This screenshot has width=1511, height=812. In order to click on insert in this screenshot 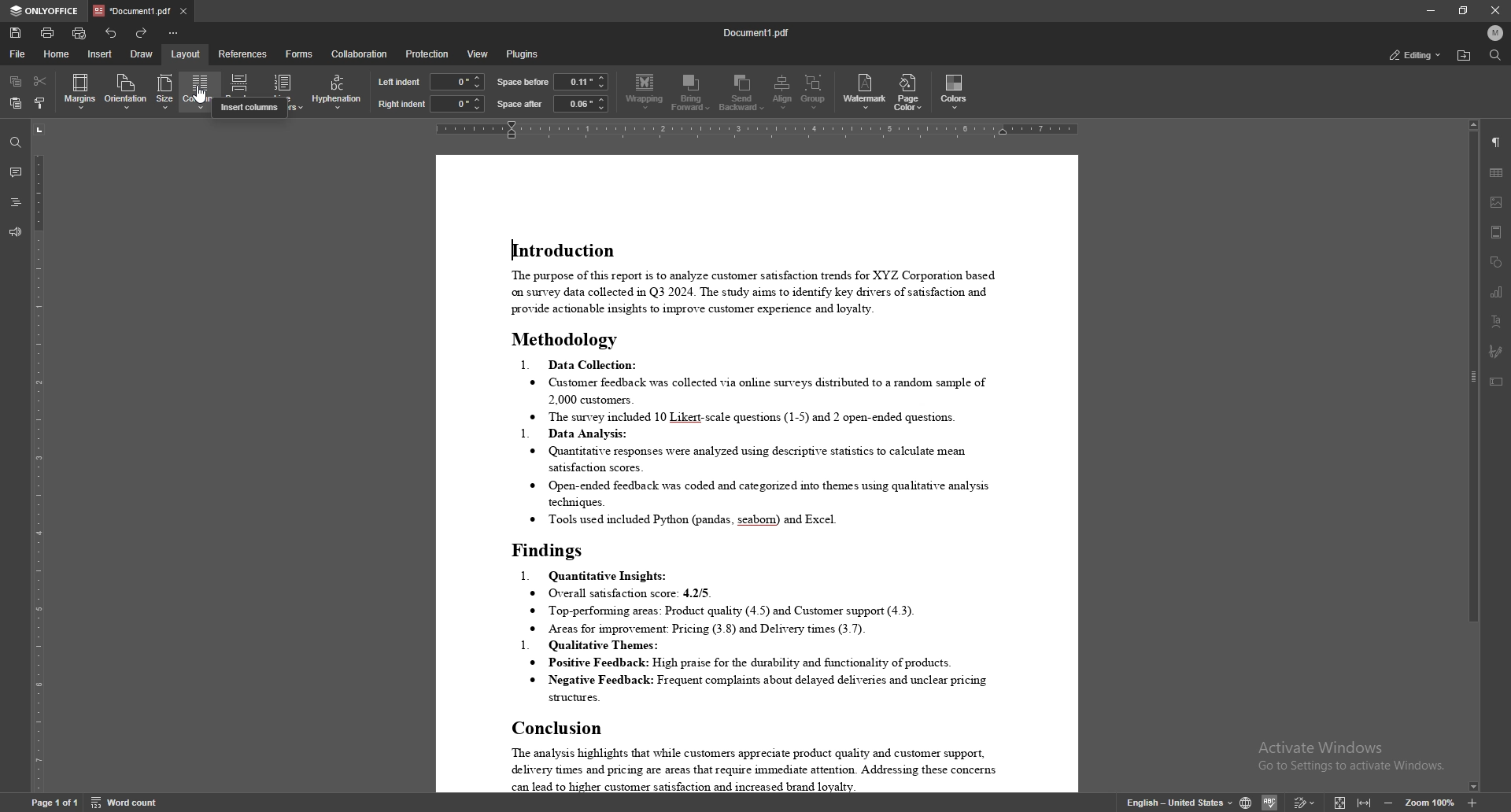, I will do `click(101, 55)`.